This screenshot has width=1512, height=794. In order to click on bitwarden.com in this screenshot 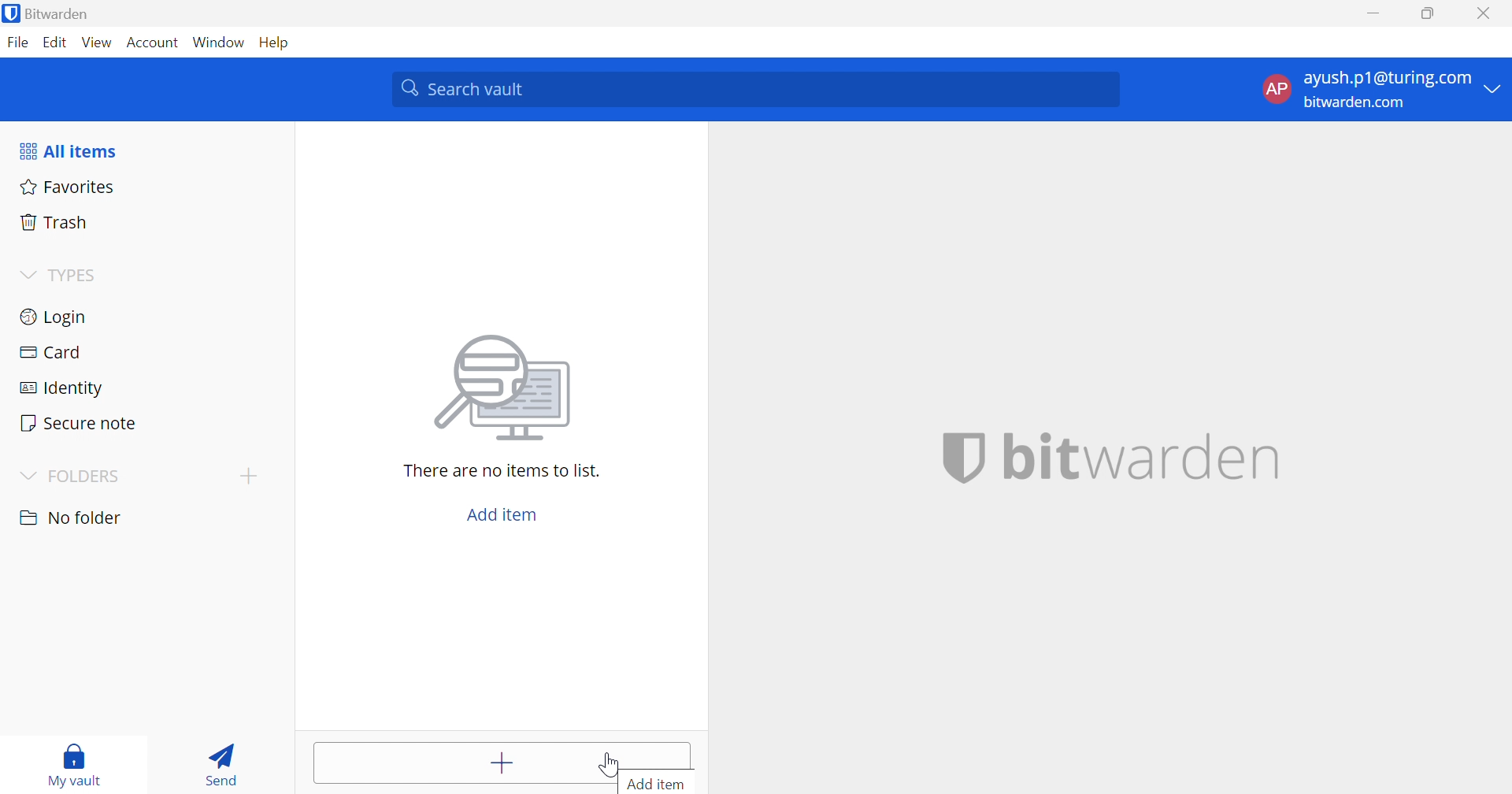, I will do `click(1355, 103)`.